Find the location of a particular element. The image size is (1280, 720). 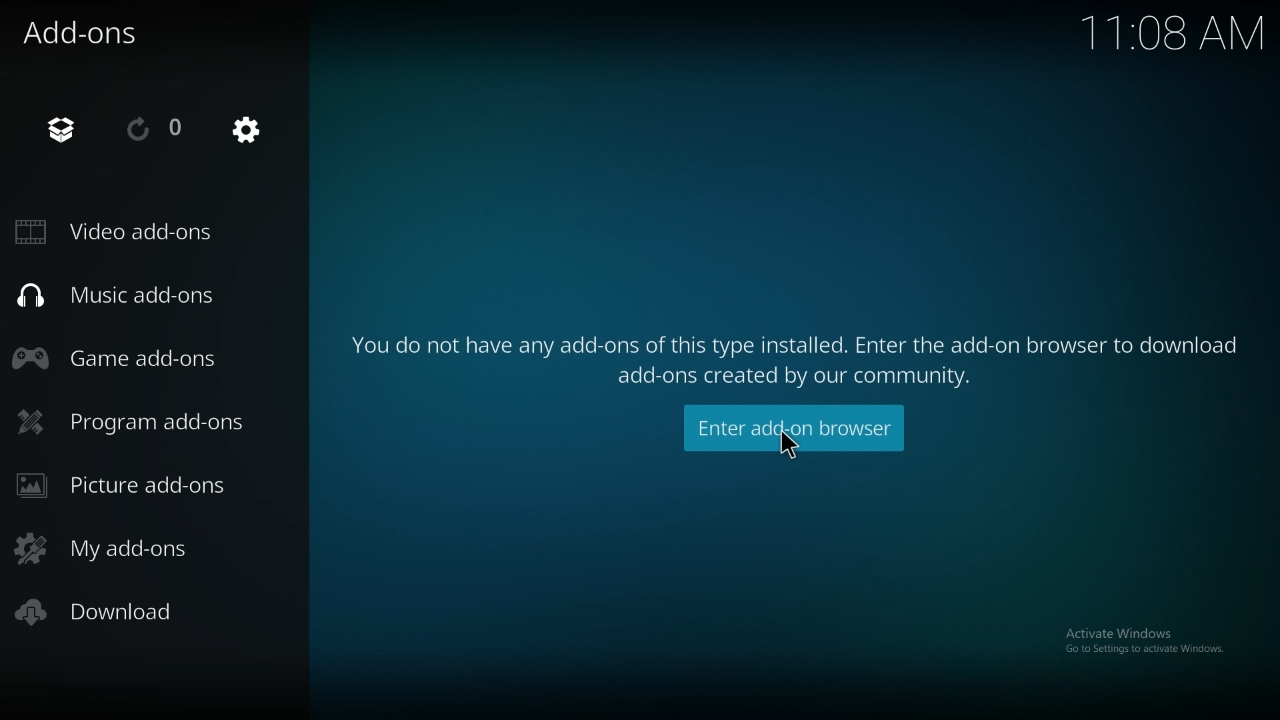

add ons is located at coordinates (85, 31).